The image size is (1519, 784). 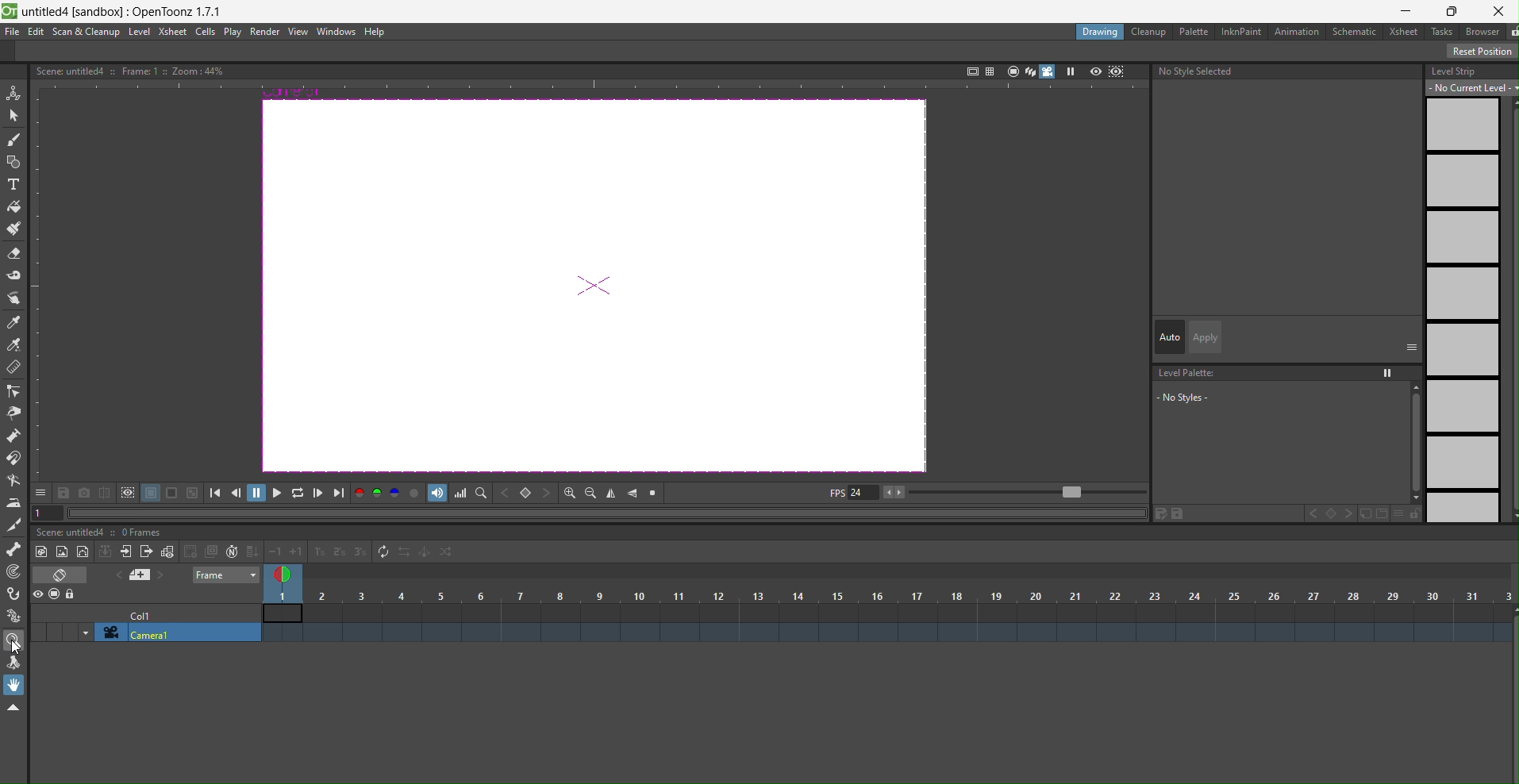 I want to click on close, so click(x=1499, y=10).